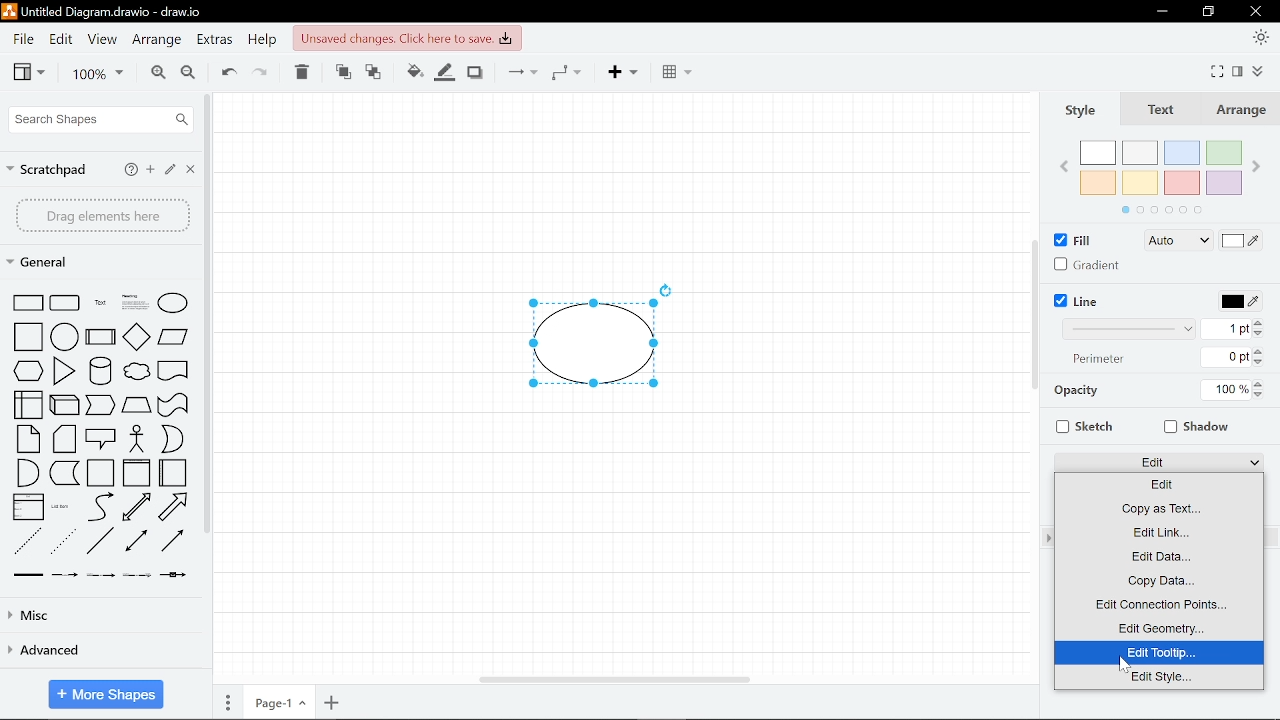  Describe the element at coordinates (1254, 11) in the screenshot. I see `Close window` at that location.